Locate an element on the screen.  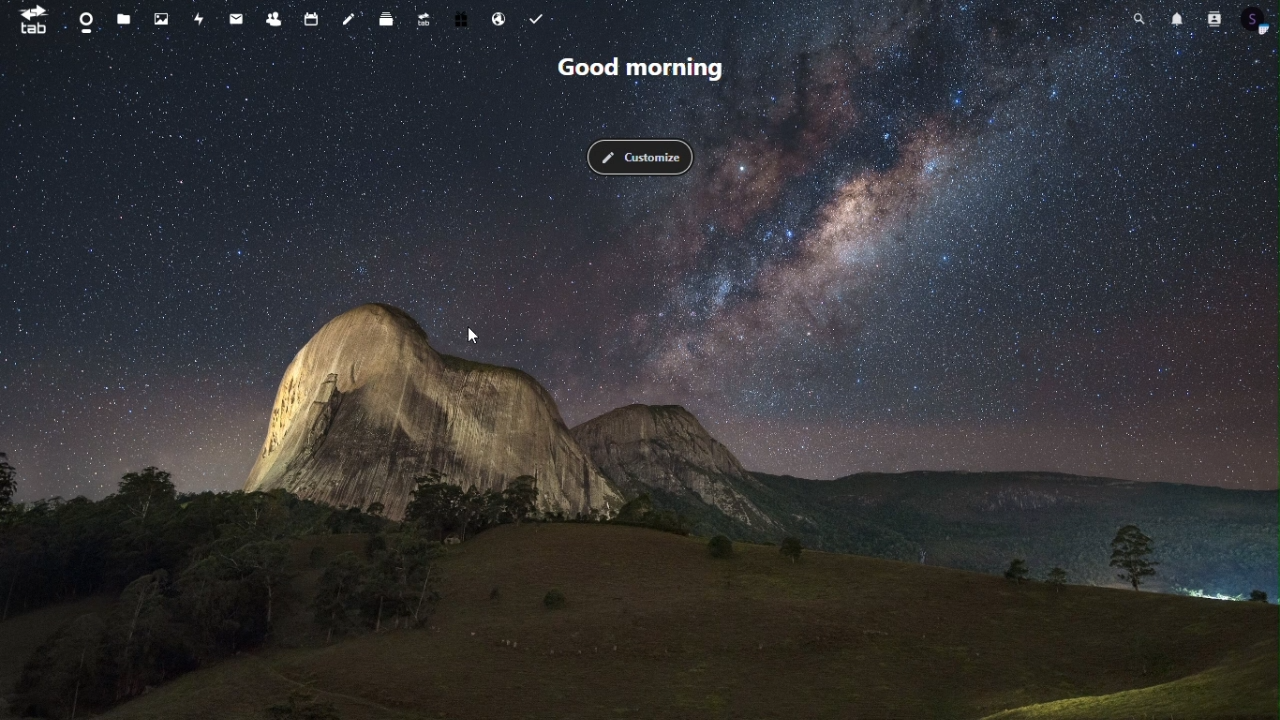
cursor is located at coordinates (474, 335).